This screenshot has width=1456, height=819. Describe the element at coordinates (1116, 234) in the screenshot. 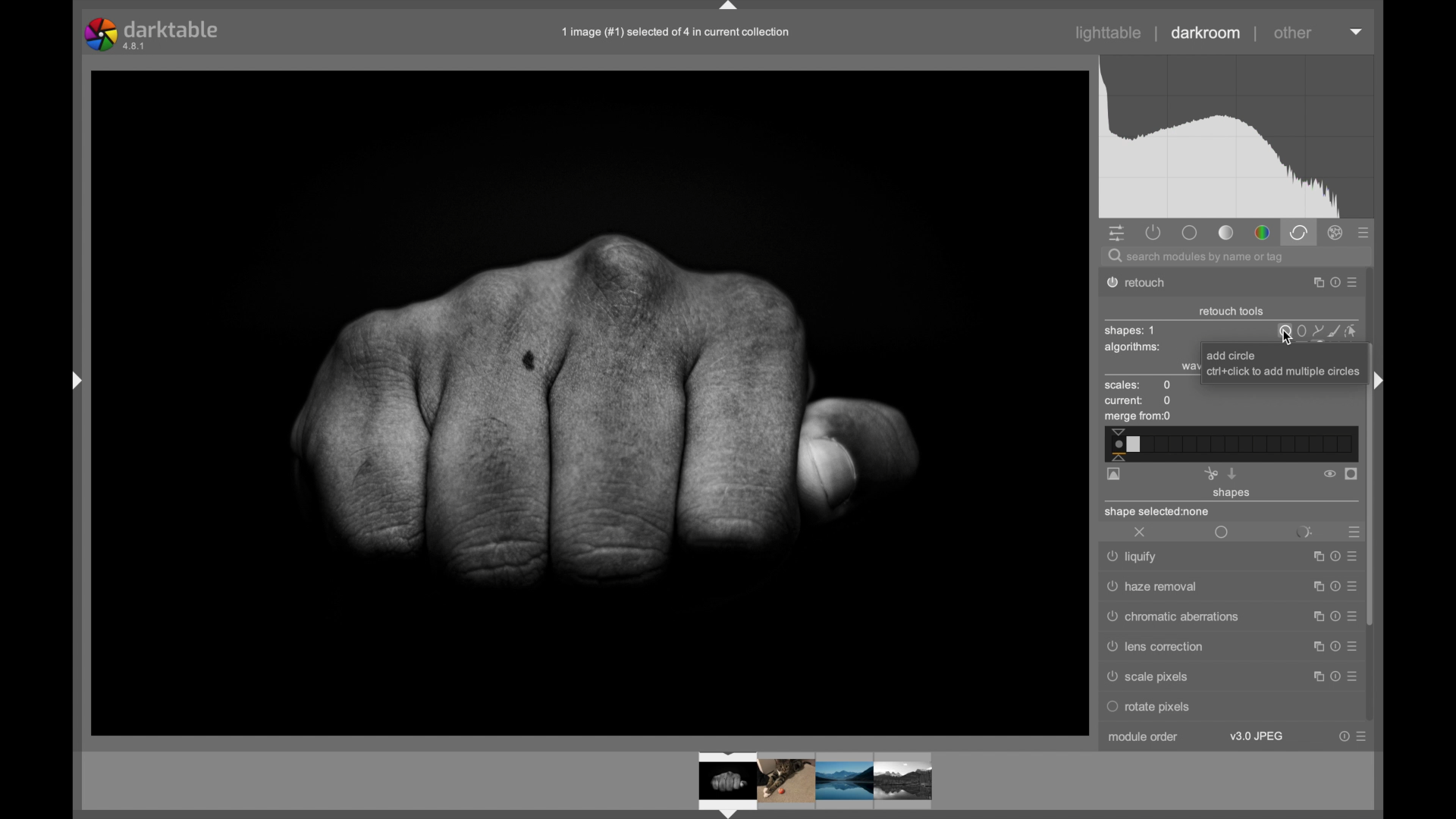

I see `show quick panel` at that location.